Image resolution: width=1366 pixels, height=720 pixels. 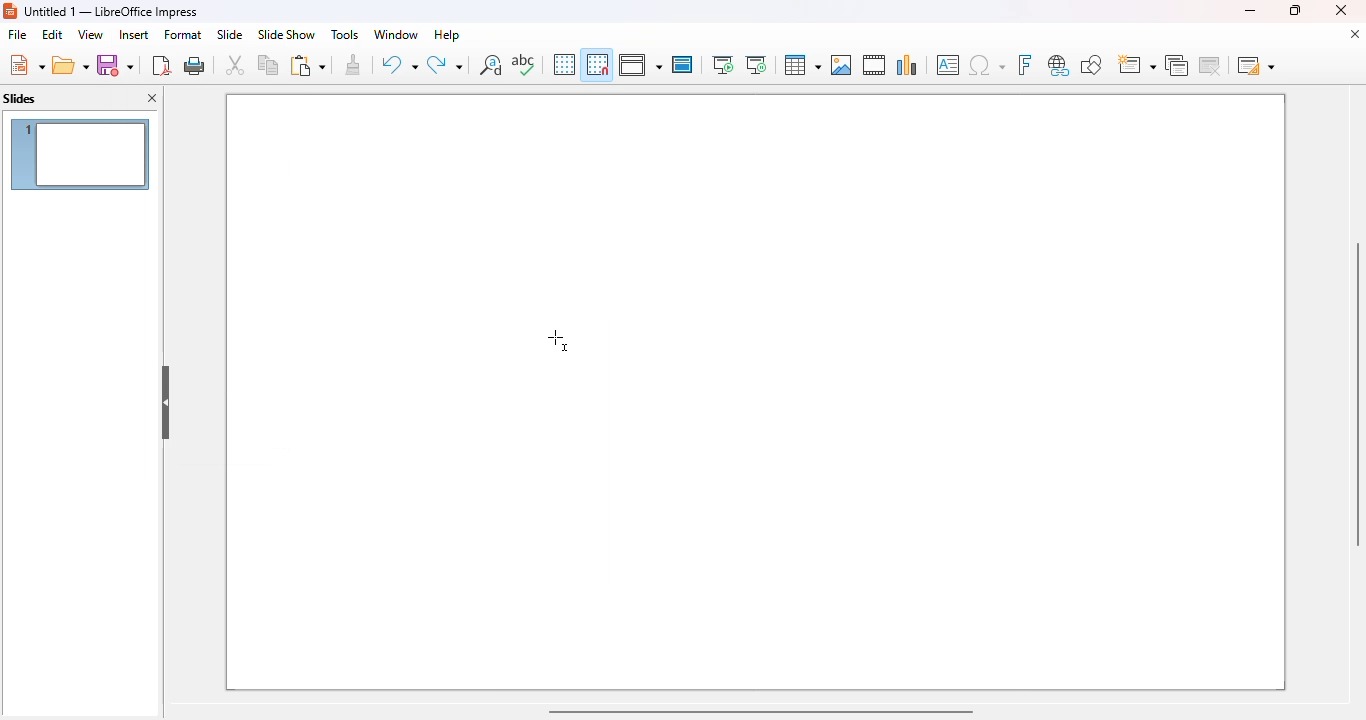 What do you see at coordinates (52, 34) in the screenshot?
I see `edit` at bounding box center [52, 34].